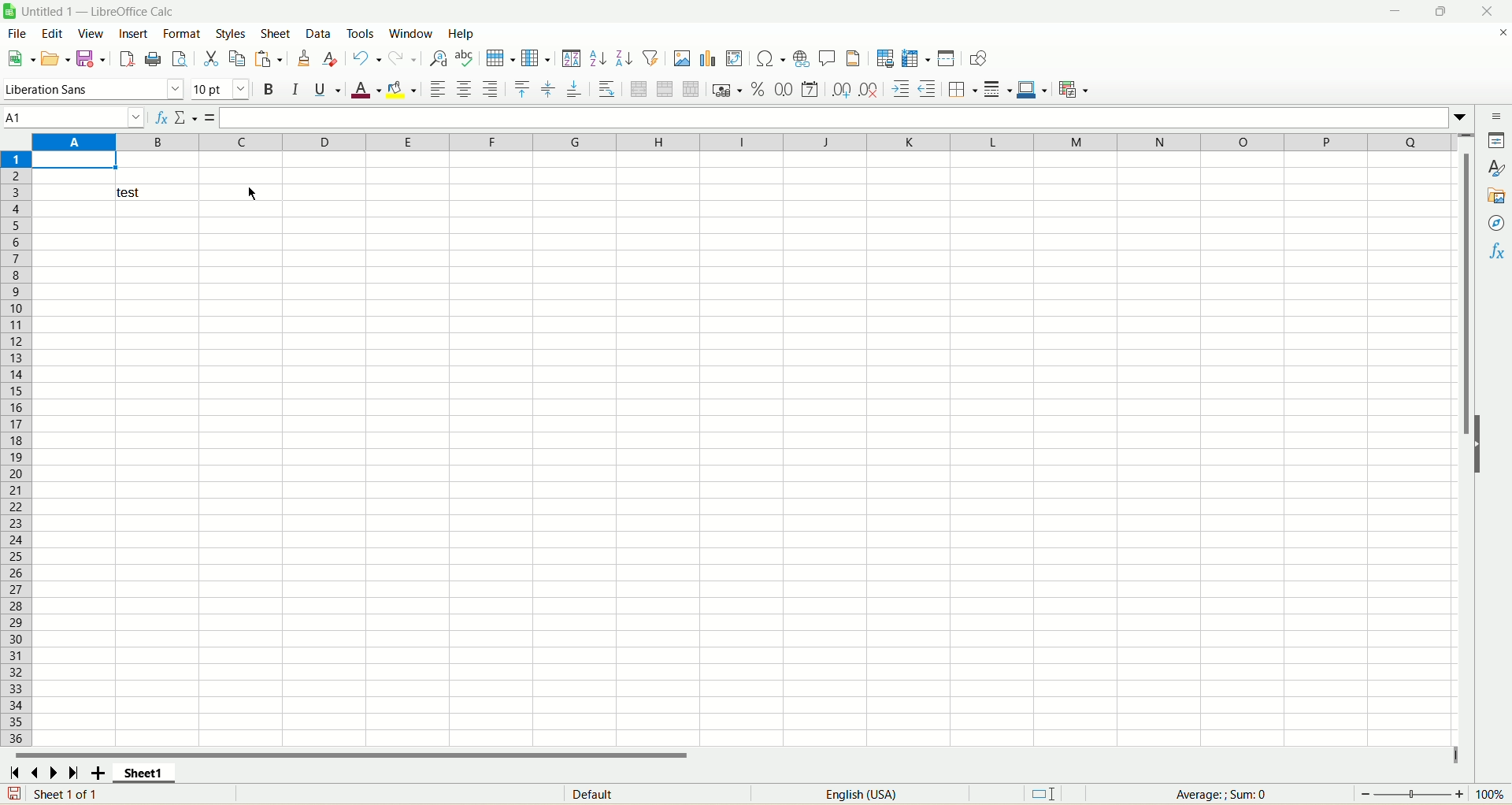 This screenshot has width=1512, height=805. I want to click on sort, so click(572, 58).